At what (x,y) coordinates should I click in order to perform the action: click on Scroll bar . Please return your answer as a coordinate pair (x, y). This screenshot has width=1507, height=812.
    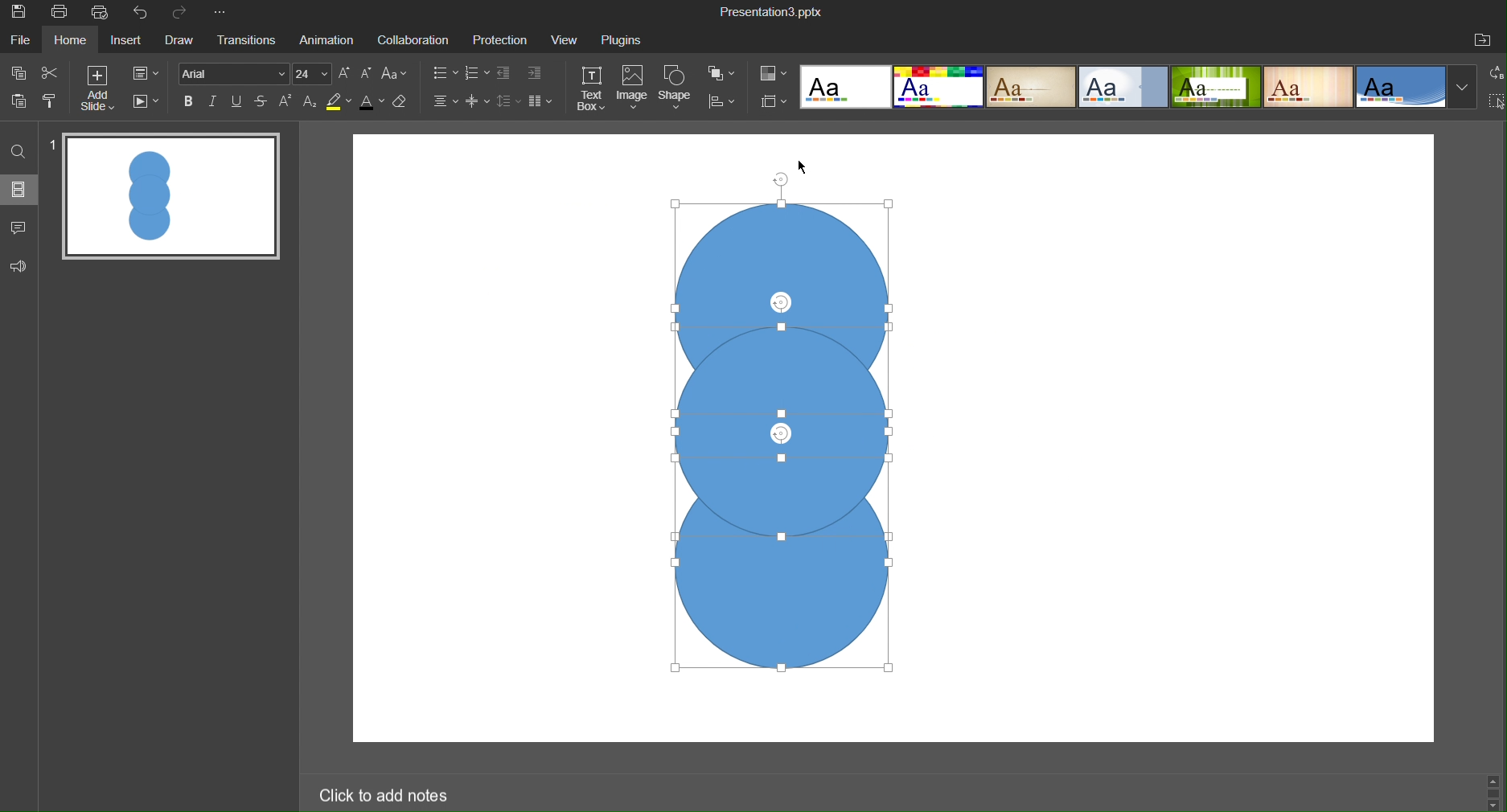
    Looking at the image, I should click on (1493, 792).